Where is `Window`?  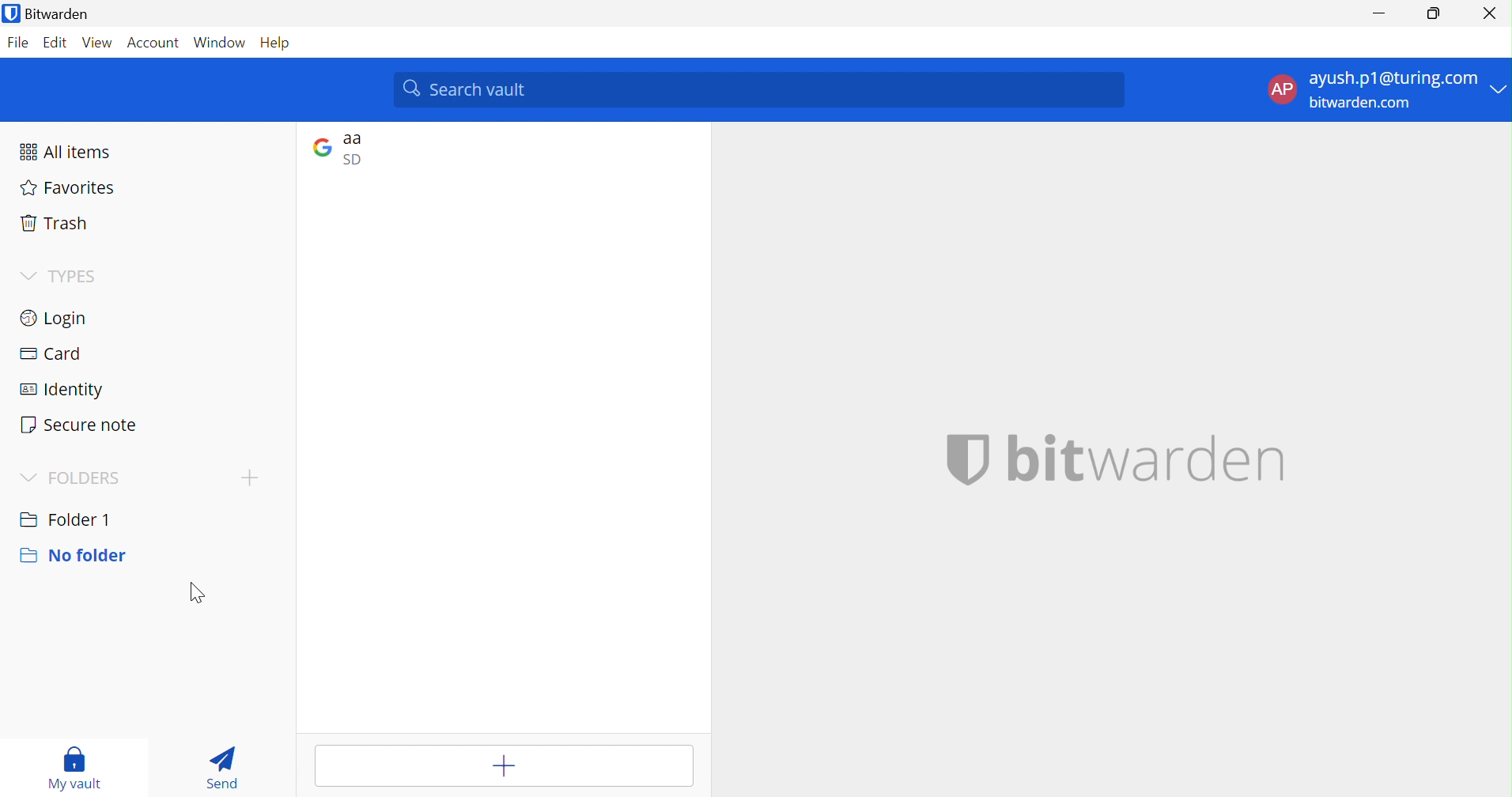
Window is located at coordinates (219, 43).